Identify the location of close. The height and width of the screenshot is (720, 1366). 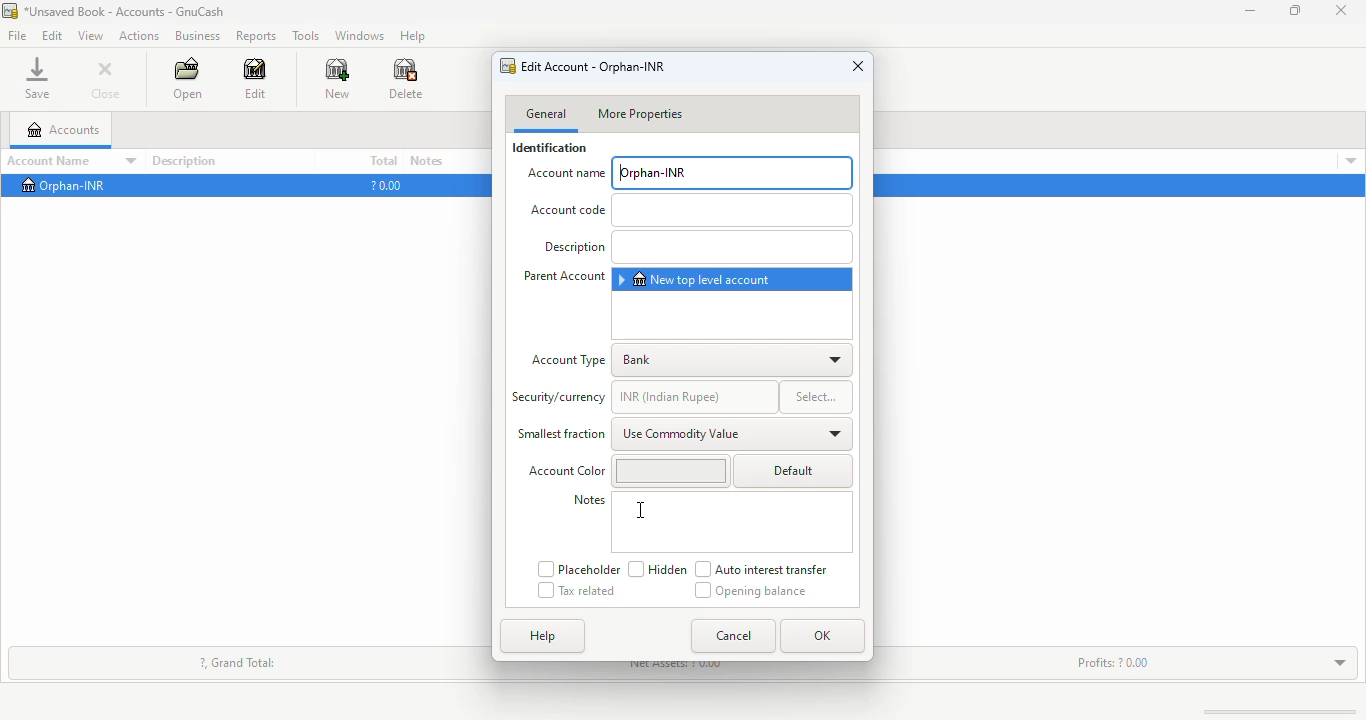
(859, 65).